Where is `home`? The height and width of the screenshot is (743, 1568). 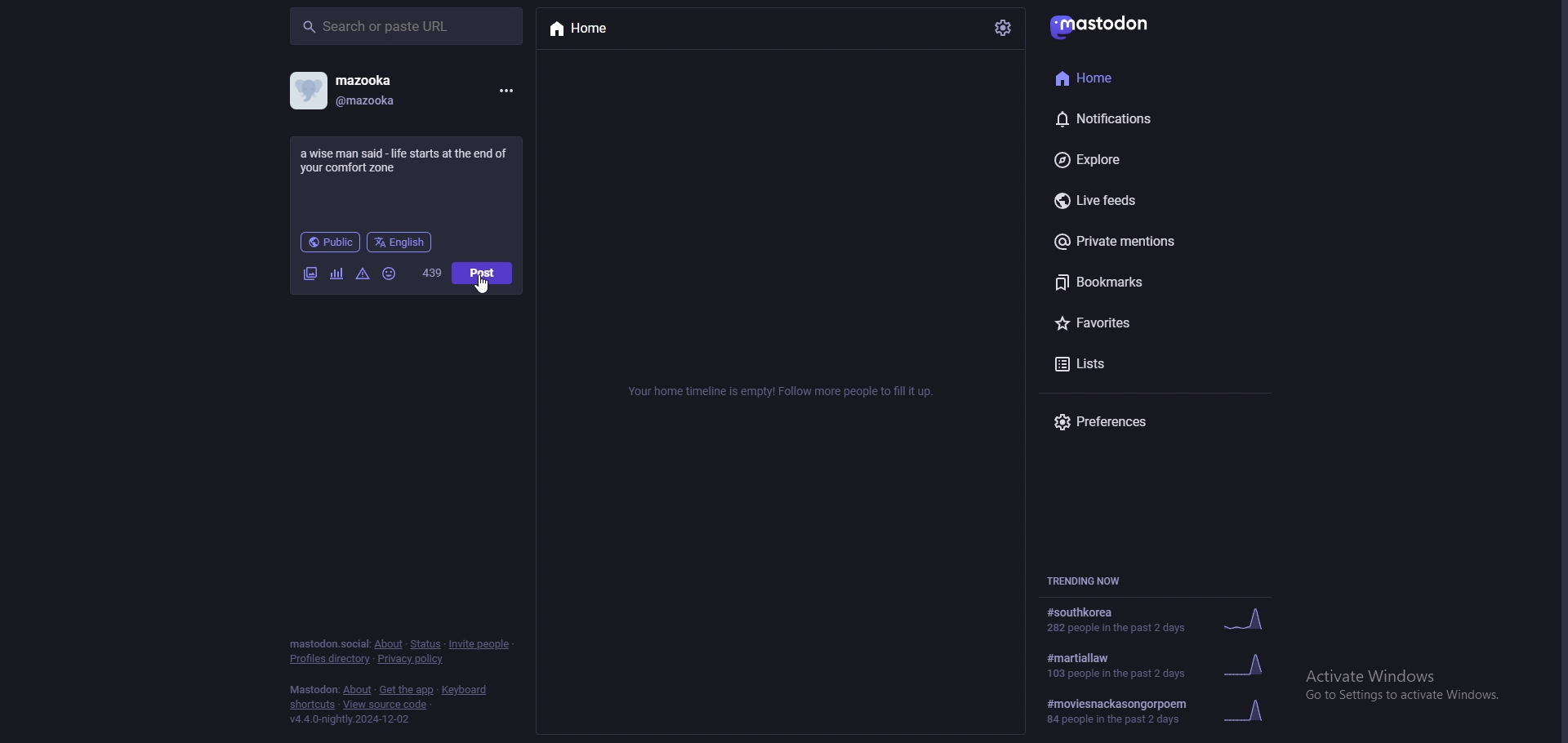
home is located at coordinates (625, 29).